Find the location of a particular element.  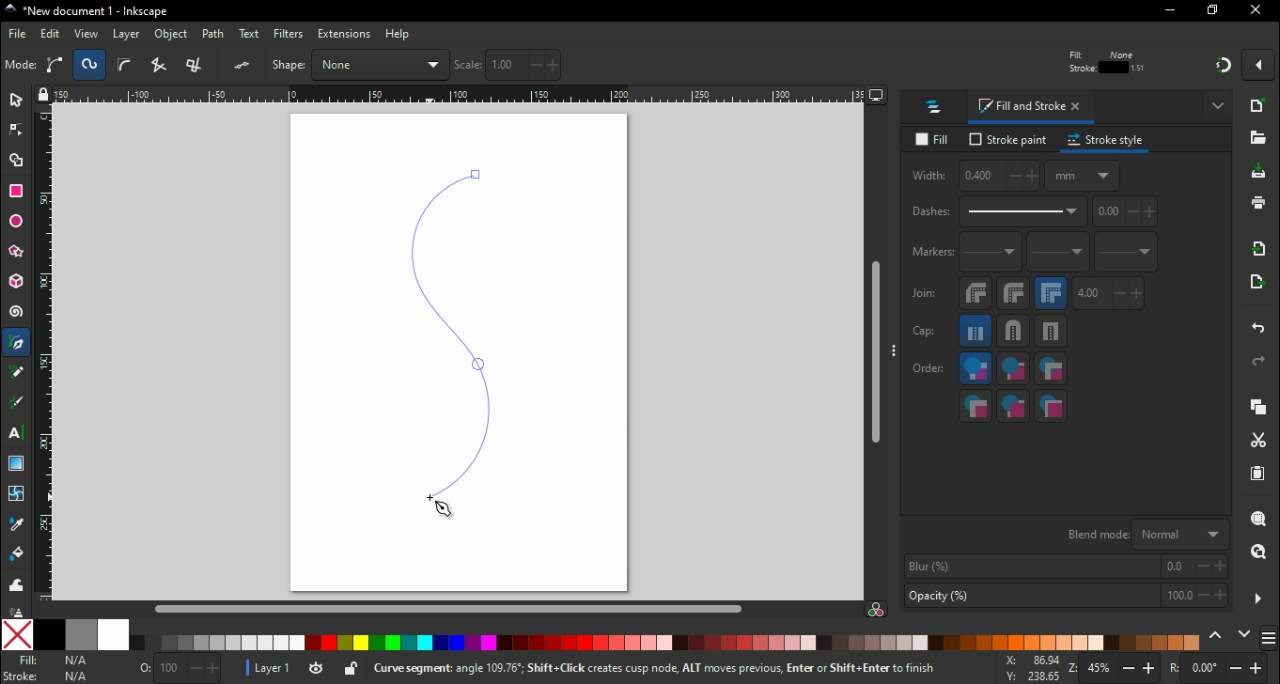

join is located at coordinates (925, 298).